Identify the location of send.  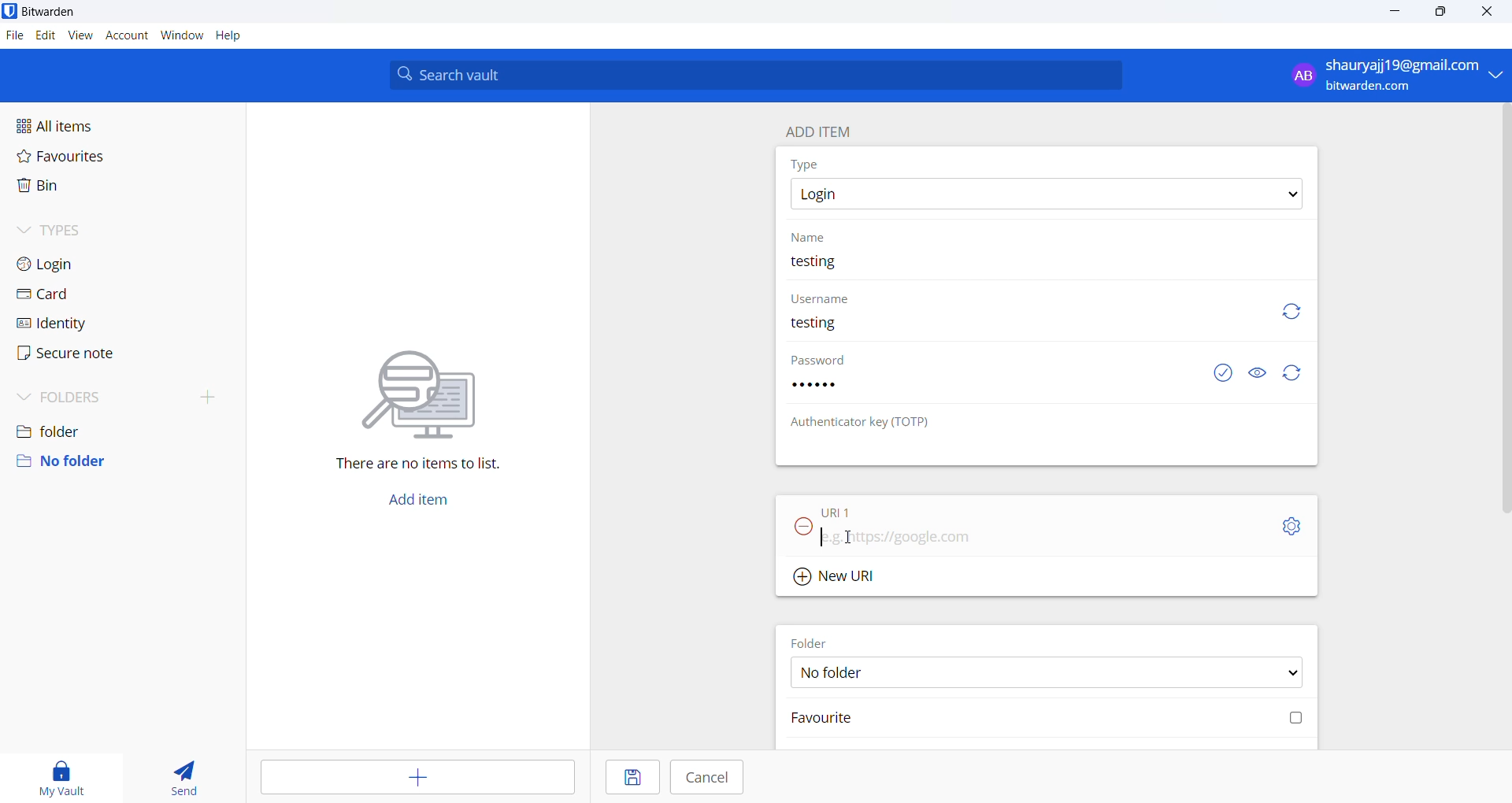
(186, 775).